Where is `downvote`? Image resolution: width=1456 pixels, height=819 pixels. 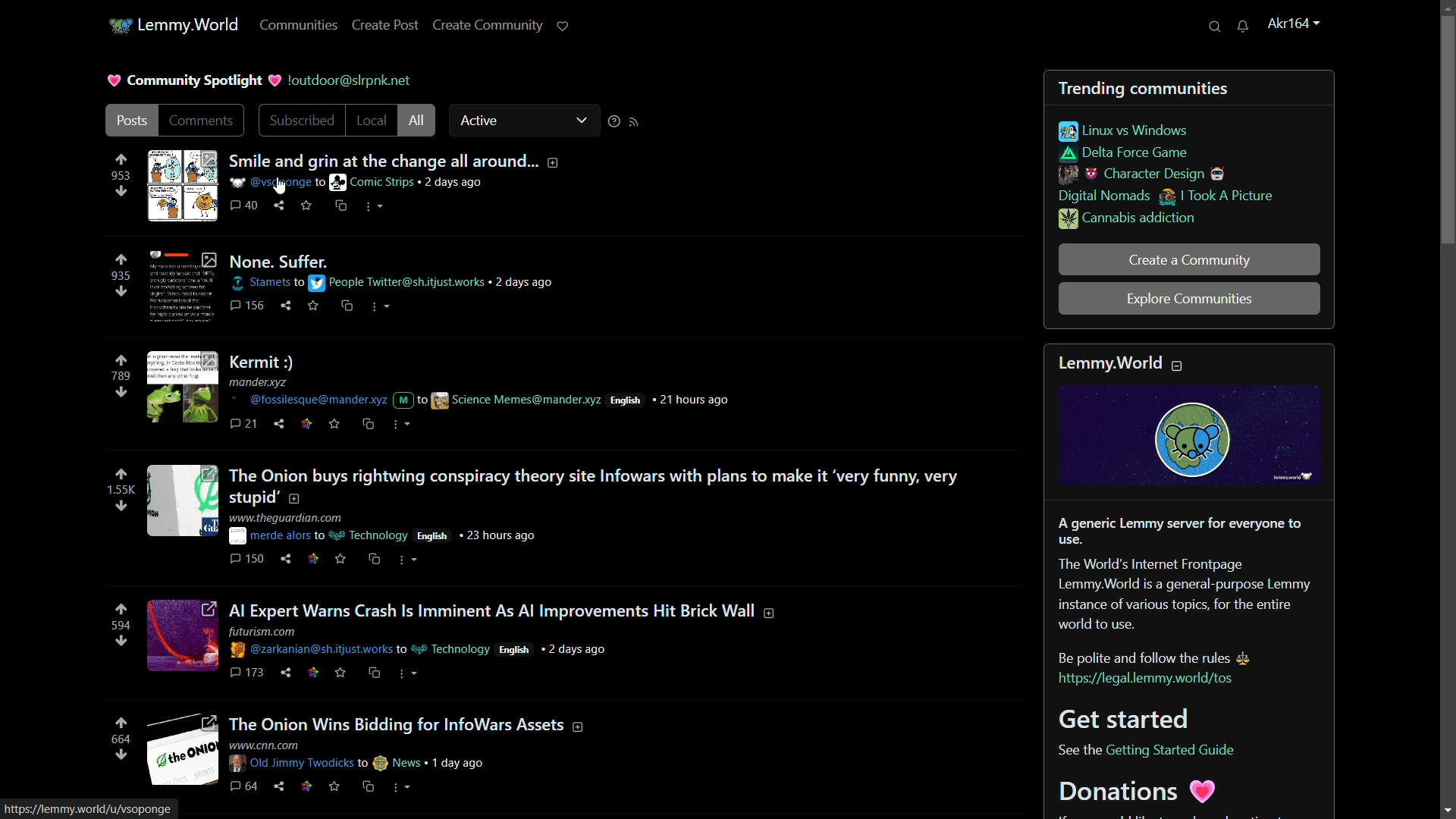 downvote is located at coordinates (121, 642).